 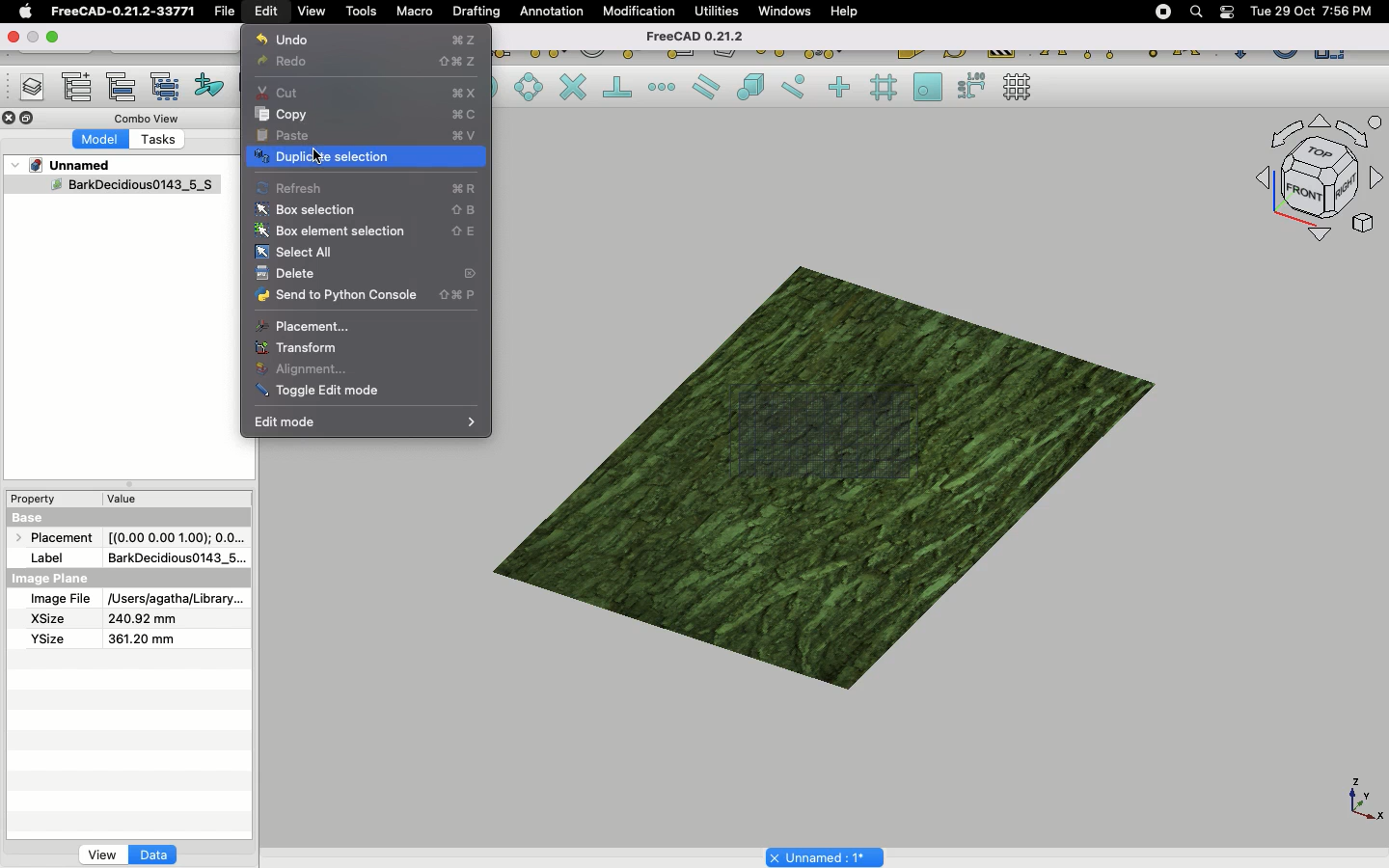 I want to click on Value, so click(x=123, y=502).